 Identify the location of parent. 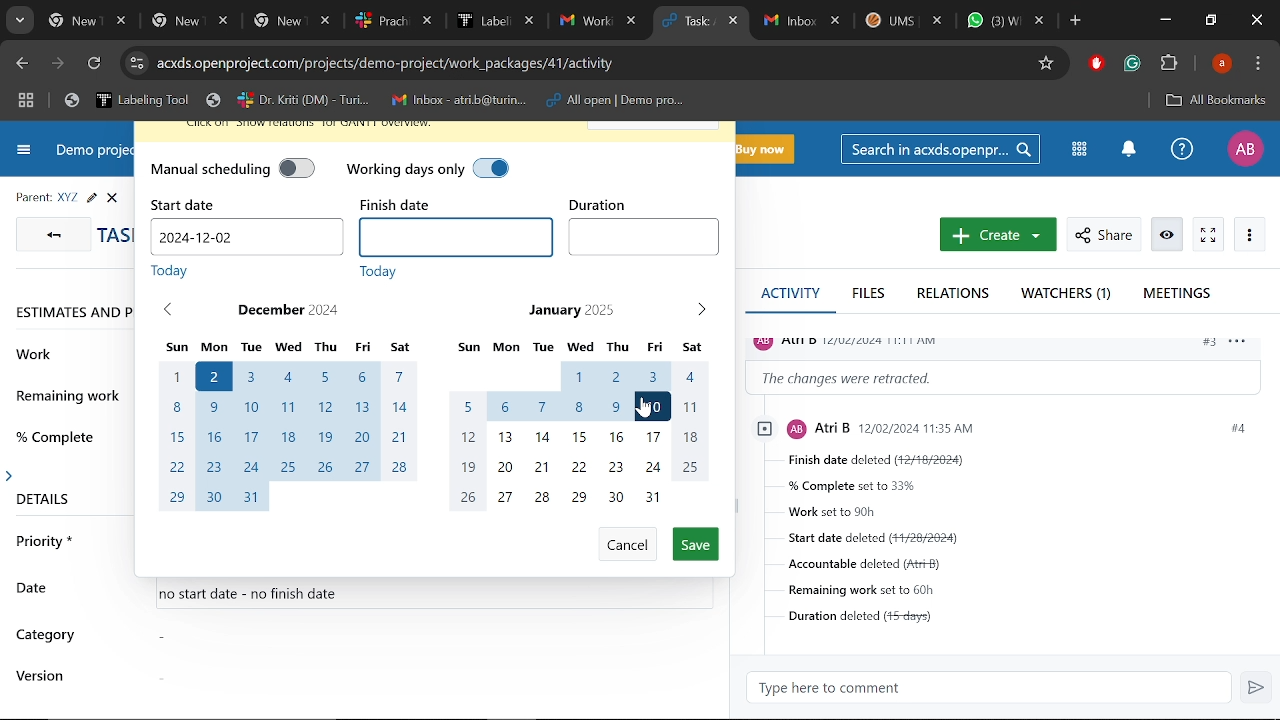
(33, 198).